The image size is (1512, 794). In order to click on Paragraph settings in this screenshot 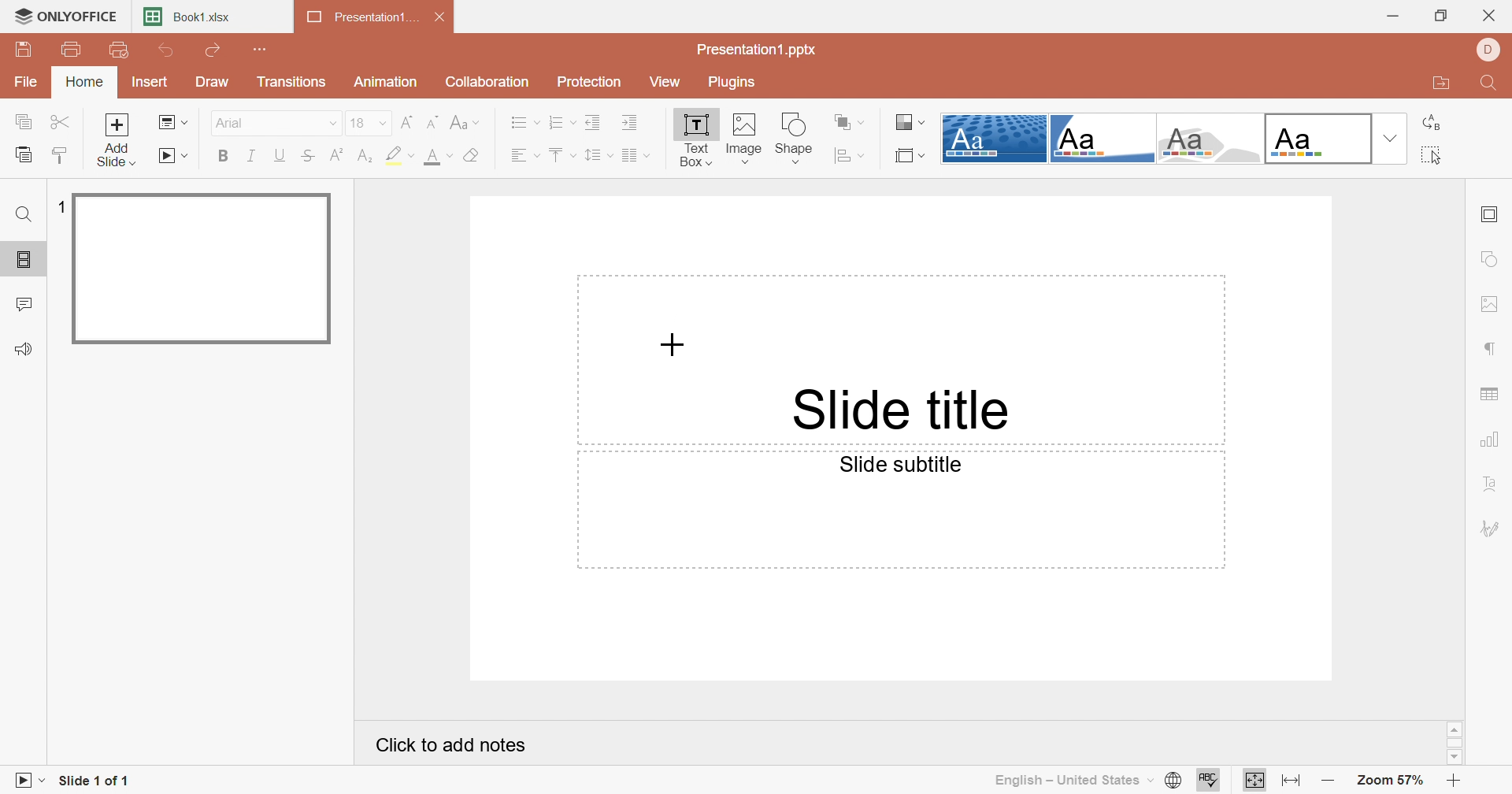, I will do `click(1493, 348)`.